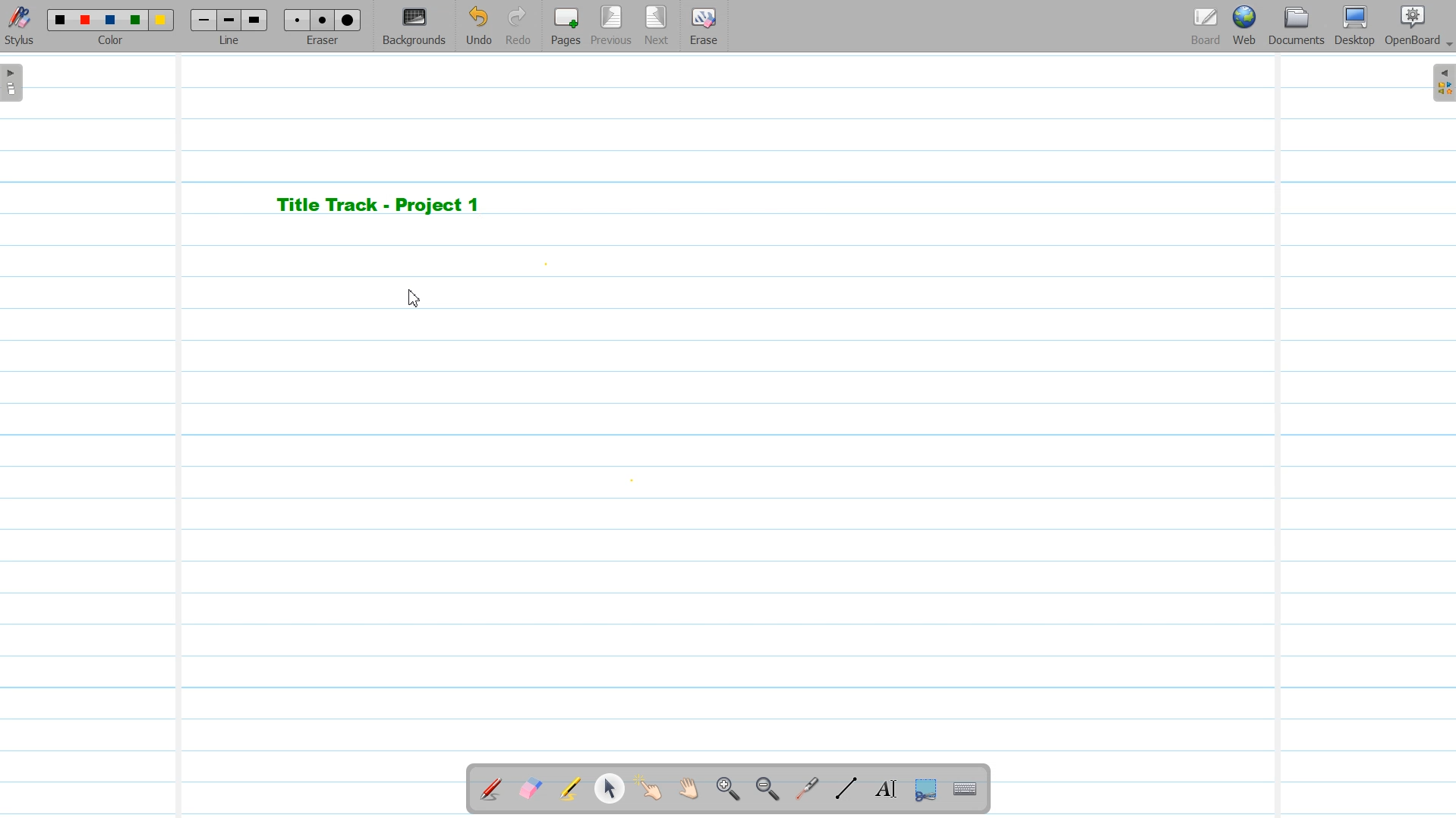 This screenshot has width=1456, height=818. What do you see at coordinates (803, 790) in the screenshot?
I see `Virtual Laser Pointer` at bounding box center [803, 790].